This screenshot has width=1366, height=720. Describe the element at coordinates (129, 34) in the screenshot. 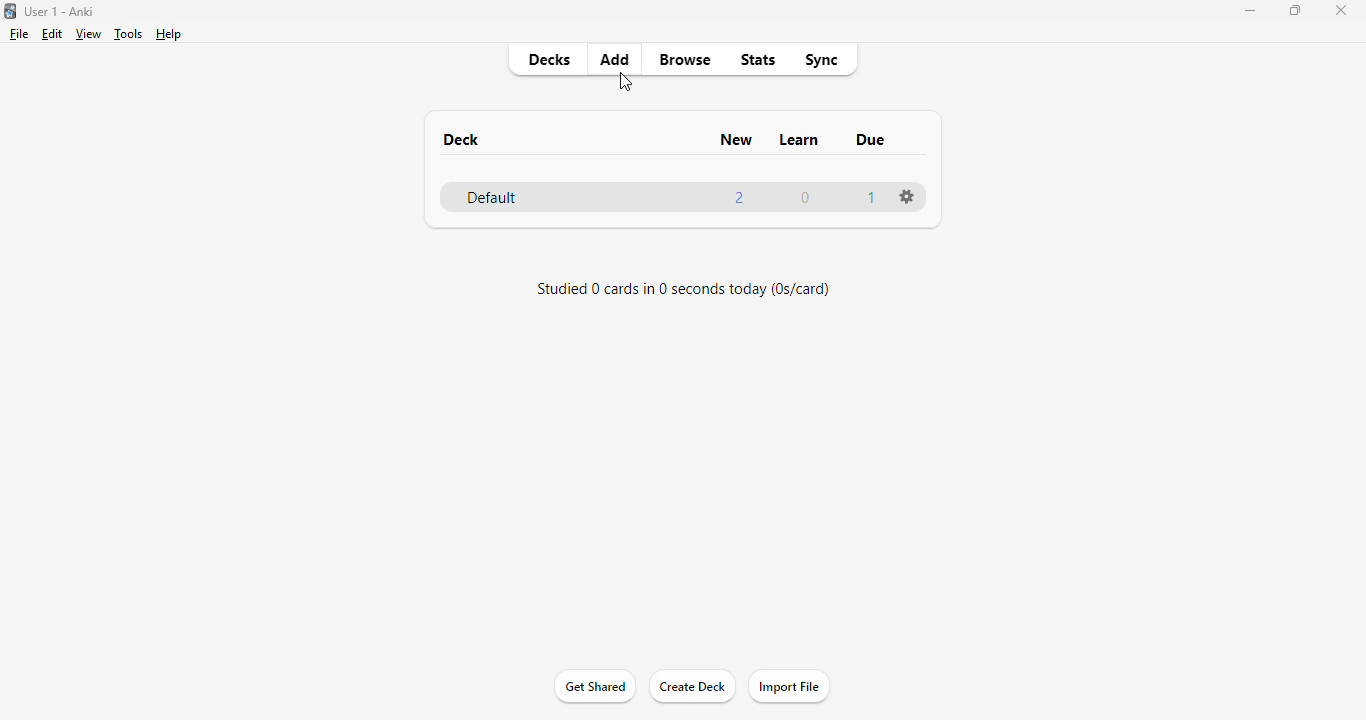

I see `tools` at that location.